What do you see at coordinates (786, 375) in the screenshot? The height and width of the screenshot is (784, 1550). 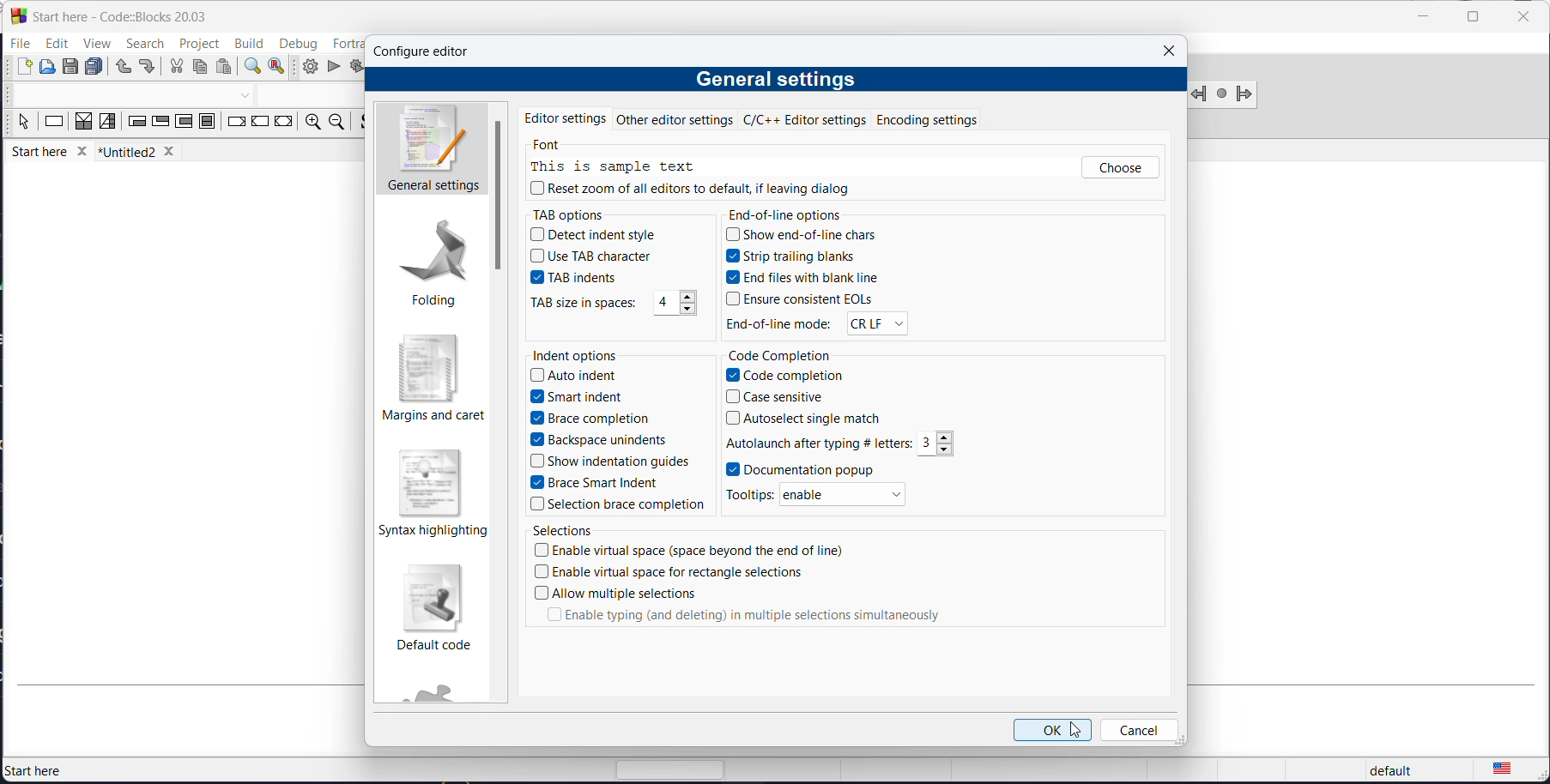 I see `code completion checkbox` at bounding box center [786, 375].